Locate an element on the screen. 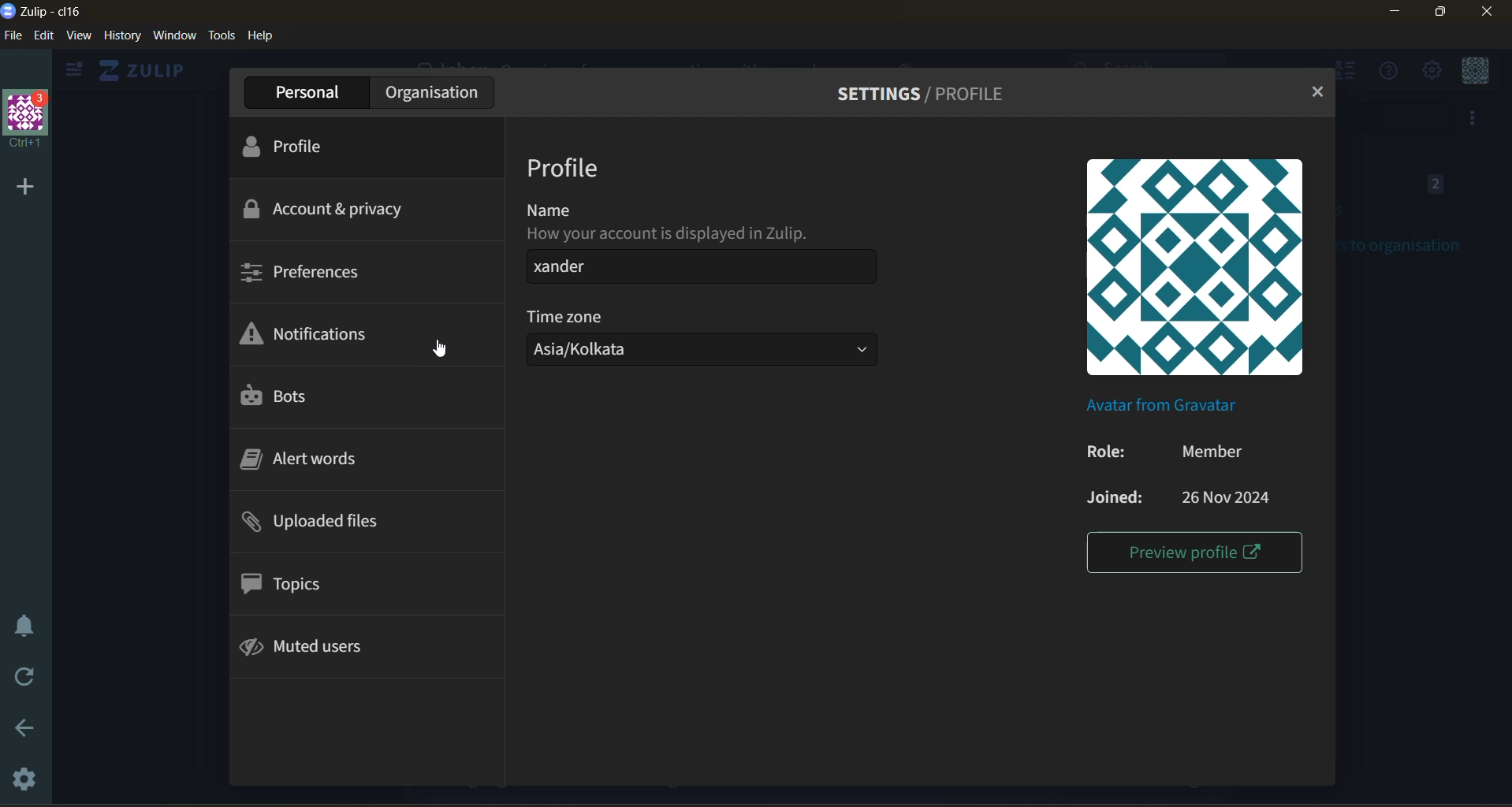  time zone is located at coordinates (566, 314).